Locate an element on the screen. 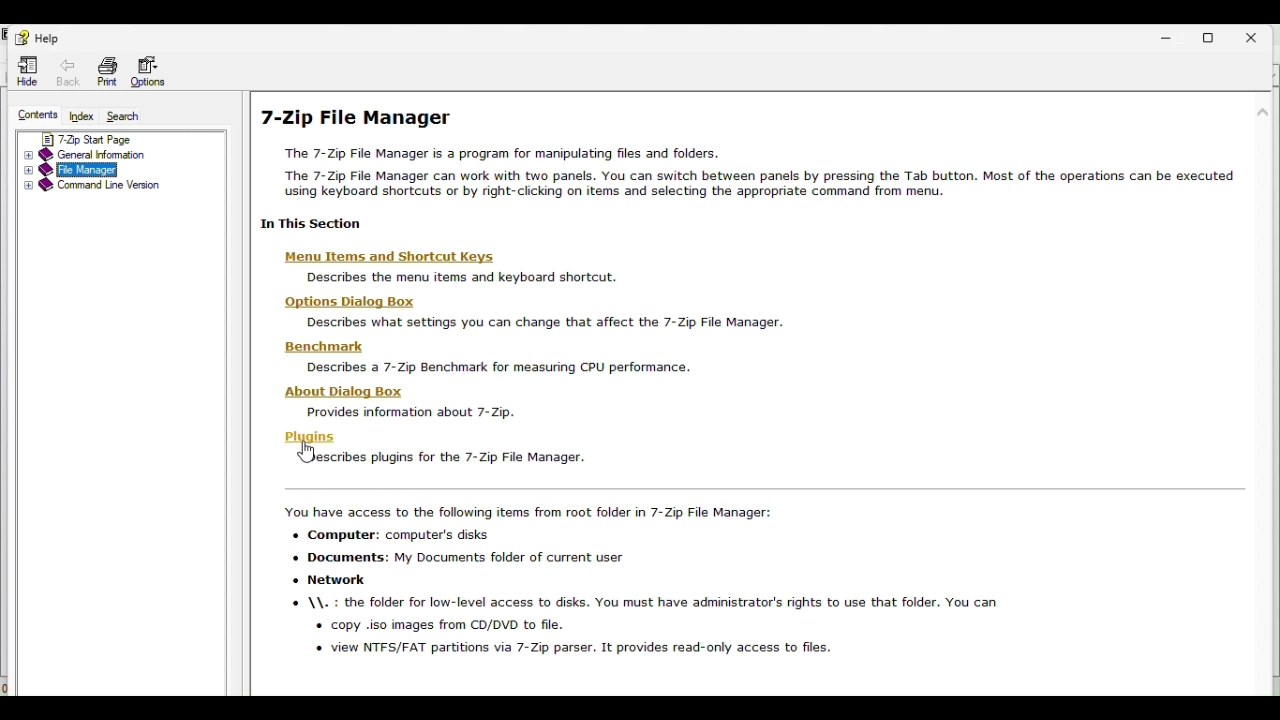 The width and height of the screenshot is (1280, 720). contents is located at coordinates (37, 113).